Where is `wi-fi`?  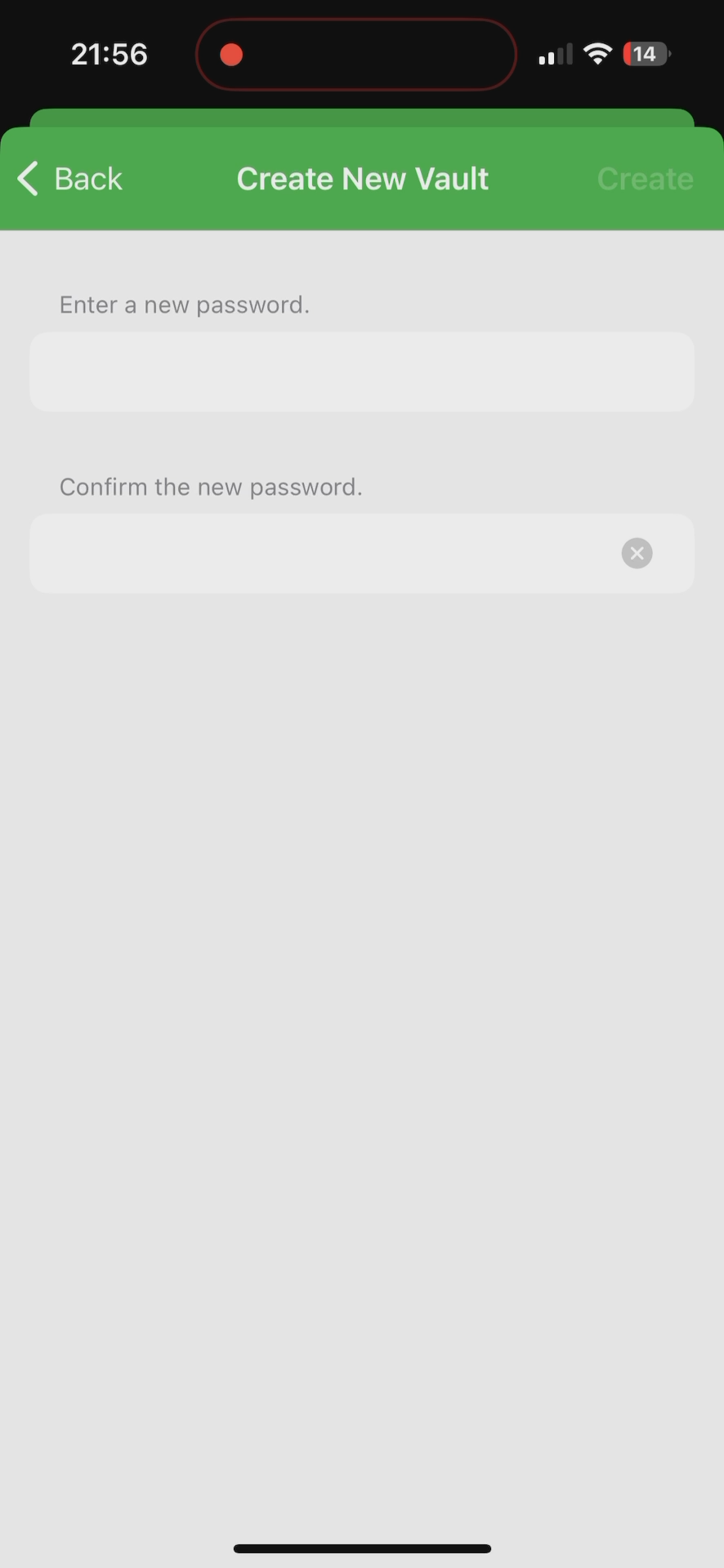 wi-fi is located at coordinates (599, 60).